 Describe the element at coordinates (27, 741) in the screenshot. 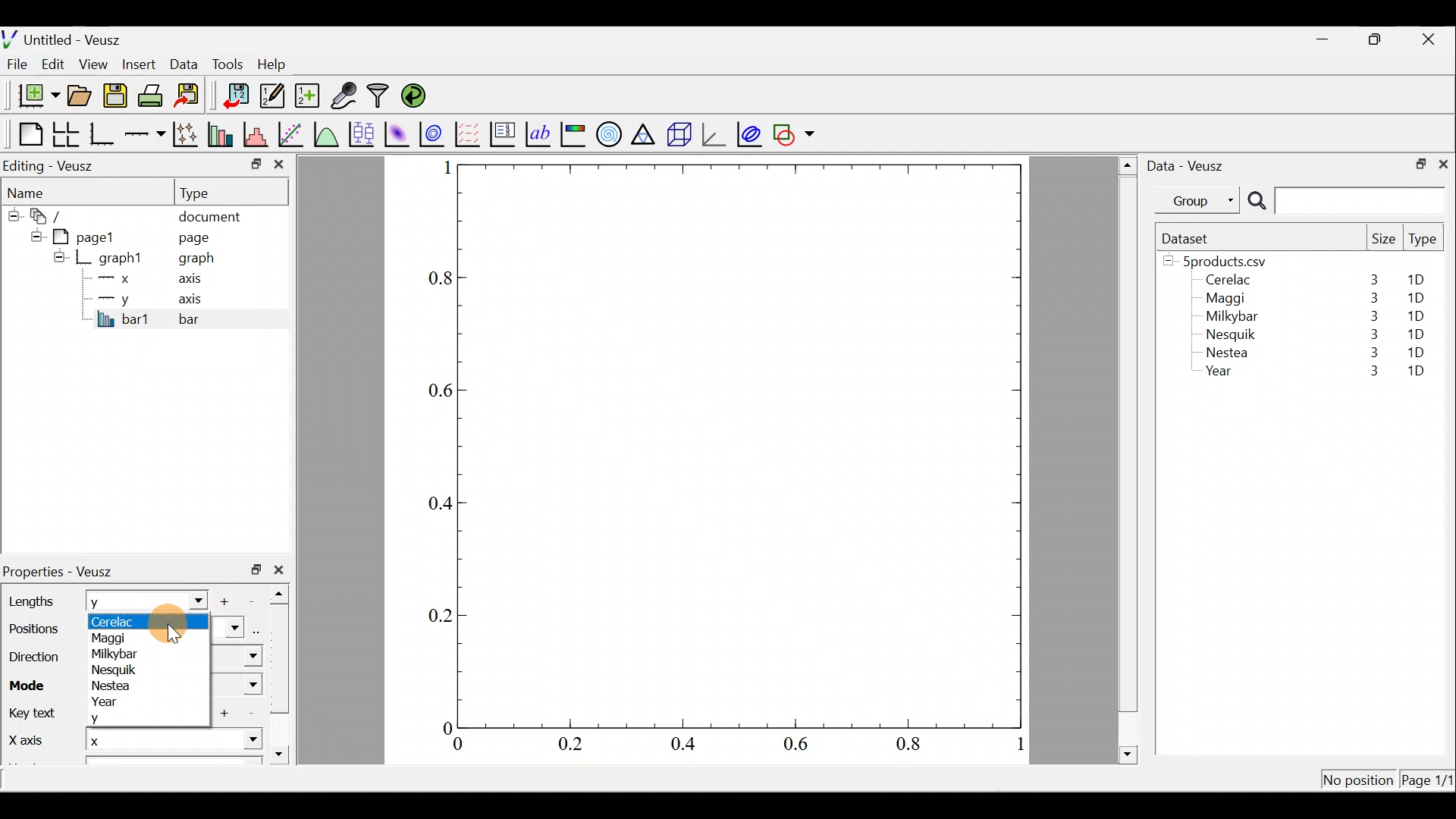

I see `X axis` at that location.